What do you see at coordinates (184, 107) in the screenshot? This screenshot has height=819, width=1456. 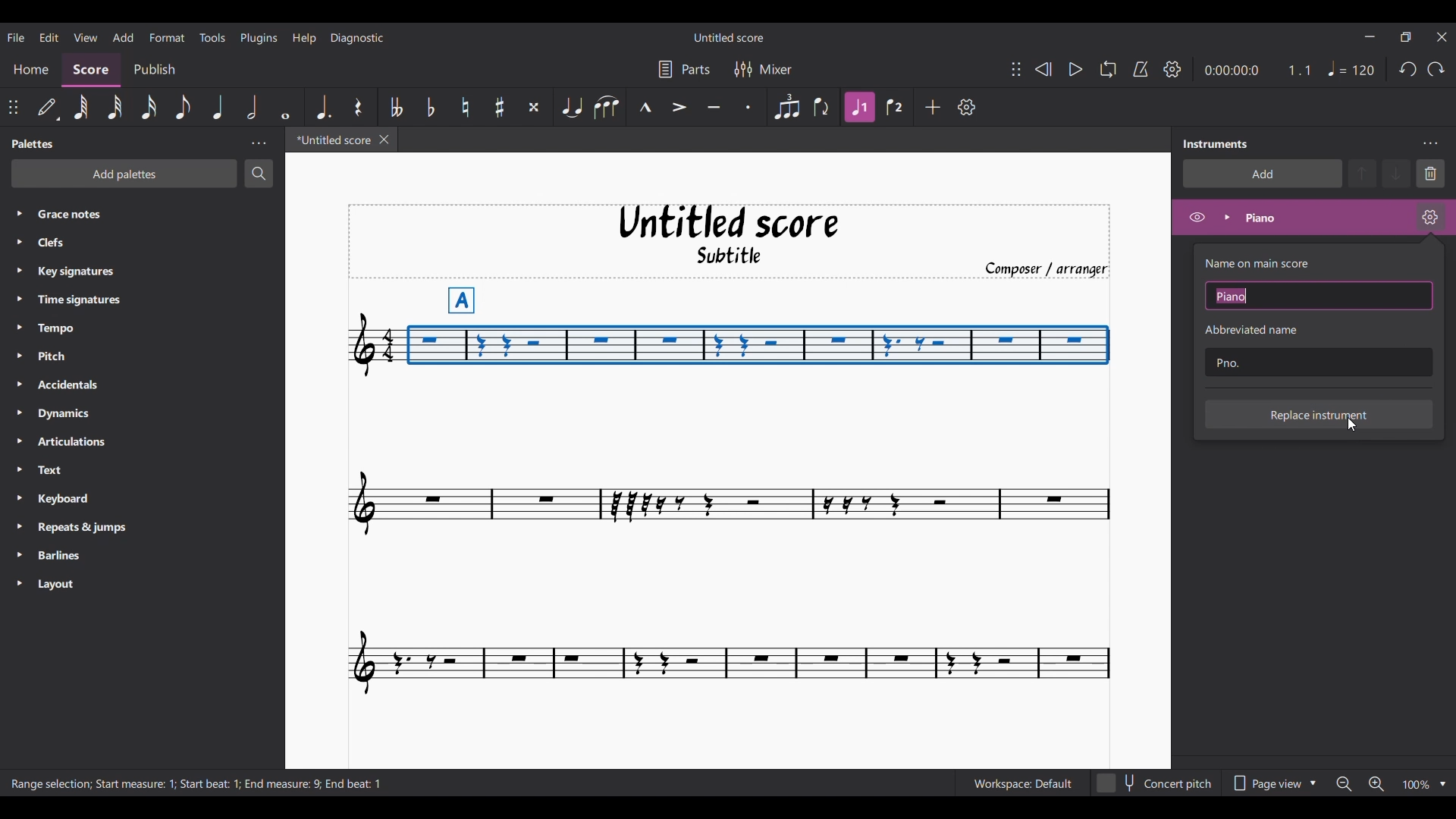 I see `8th note` at bounding box center [184, 107].